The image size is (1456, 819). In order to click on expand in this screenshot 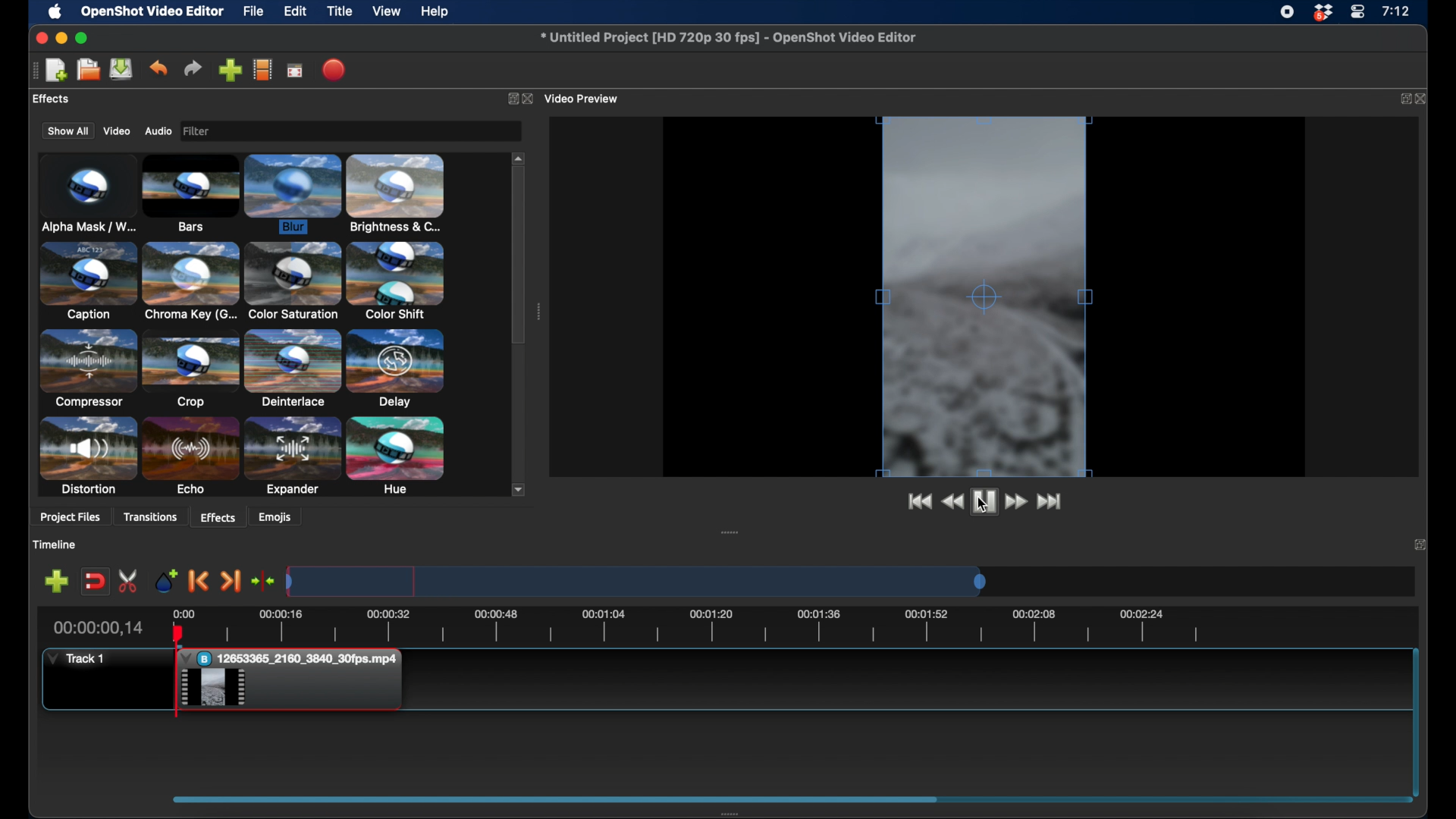, I will do `click(1404, 99)`.